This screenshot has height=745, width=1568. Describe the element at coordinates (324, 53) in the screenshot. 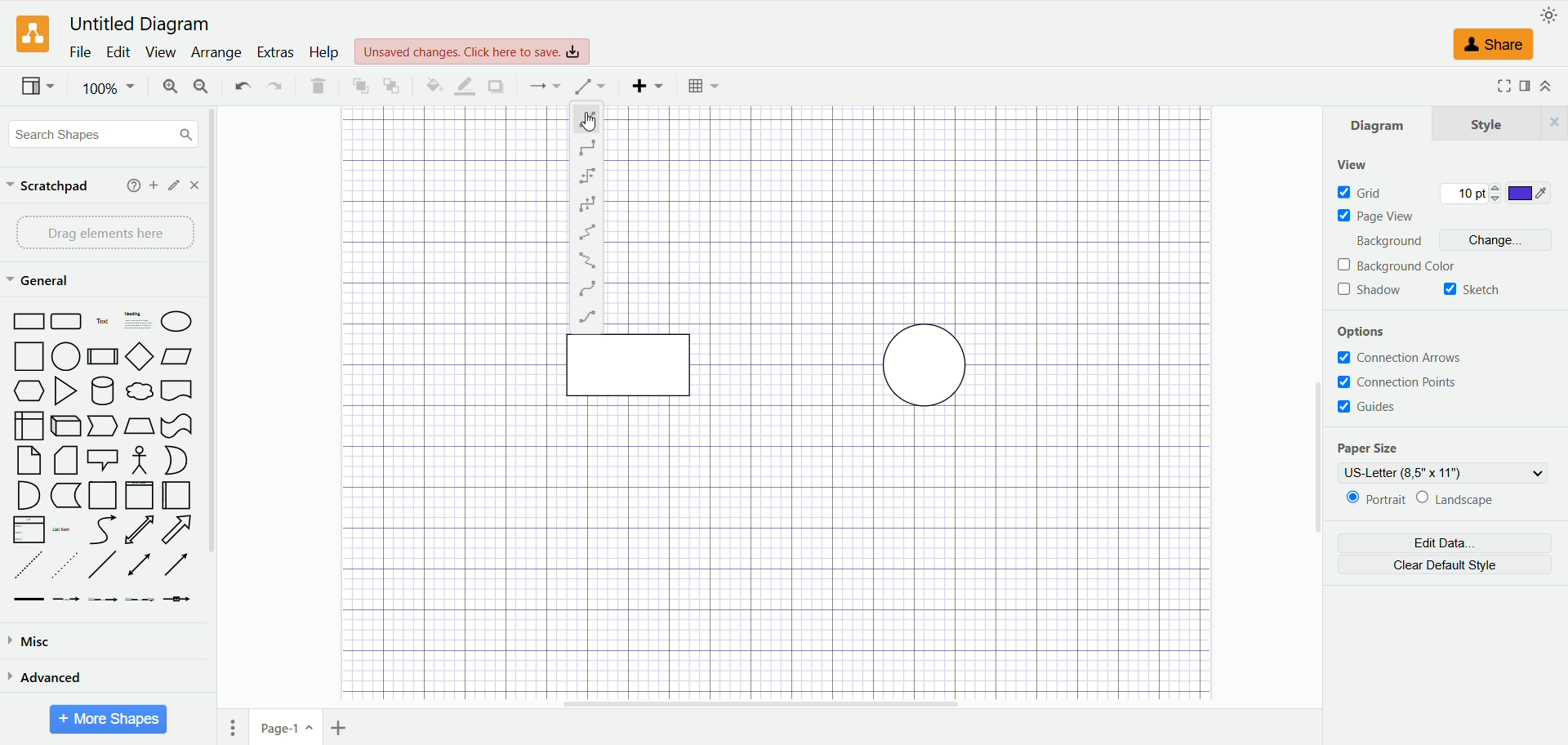

I see `help` at that location.